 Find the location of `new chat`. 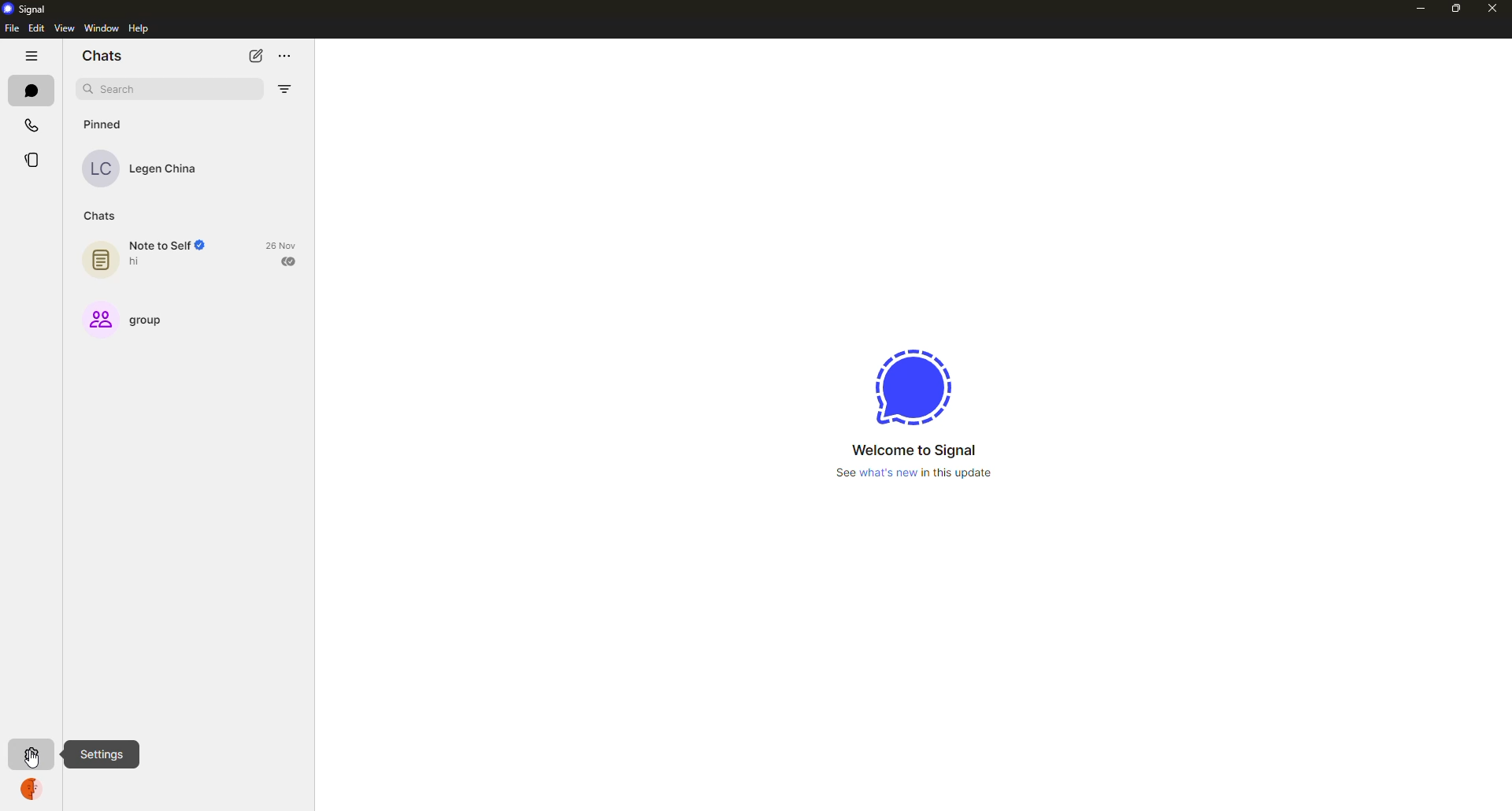

new chat is located at coordinates (257, 56).